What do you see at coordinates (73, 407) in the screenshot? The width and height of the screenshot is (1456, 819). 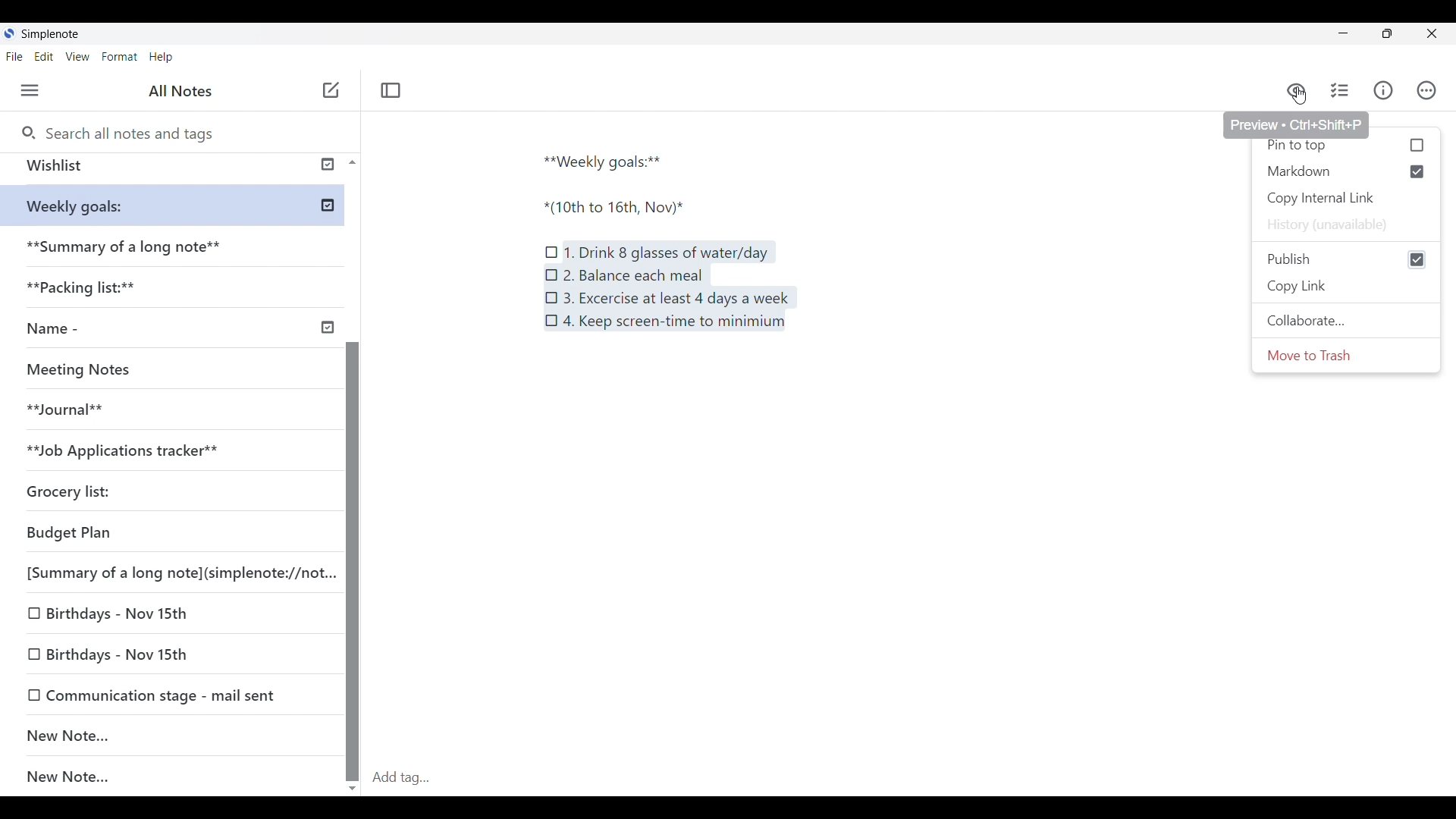 I see `**Journal**` at bounding box center [73, 407].